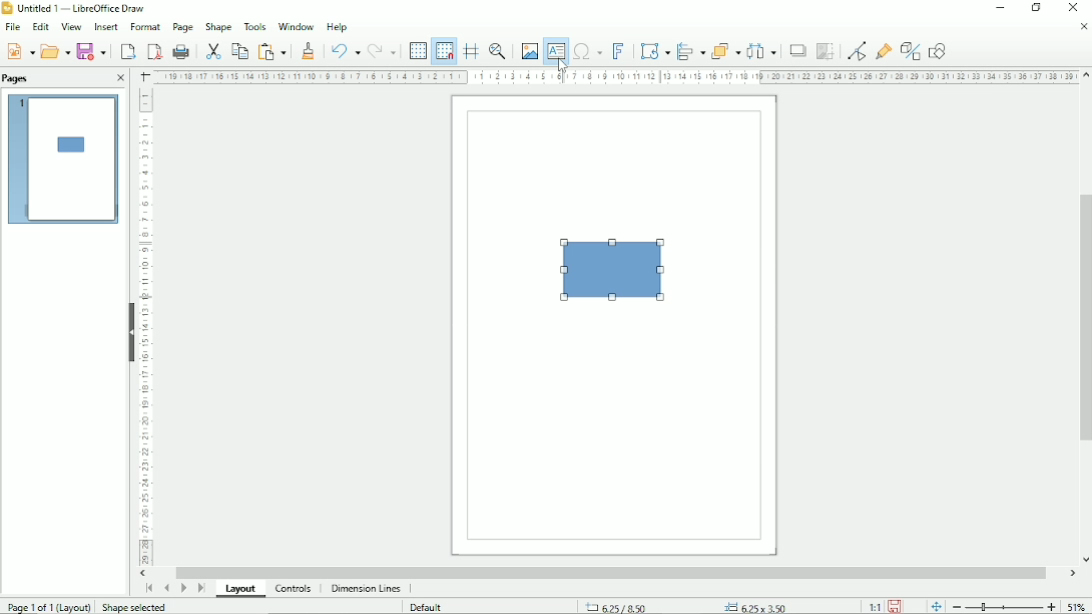 This screenshot has height=614, width=1092. Describe the element at coordinates (20, 51) in the screenshot. I see `Save` at that location.